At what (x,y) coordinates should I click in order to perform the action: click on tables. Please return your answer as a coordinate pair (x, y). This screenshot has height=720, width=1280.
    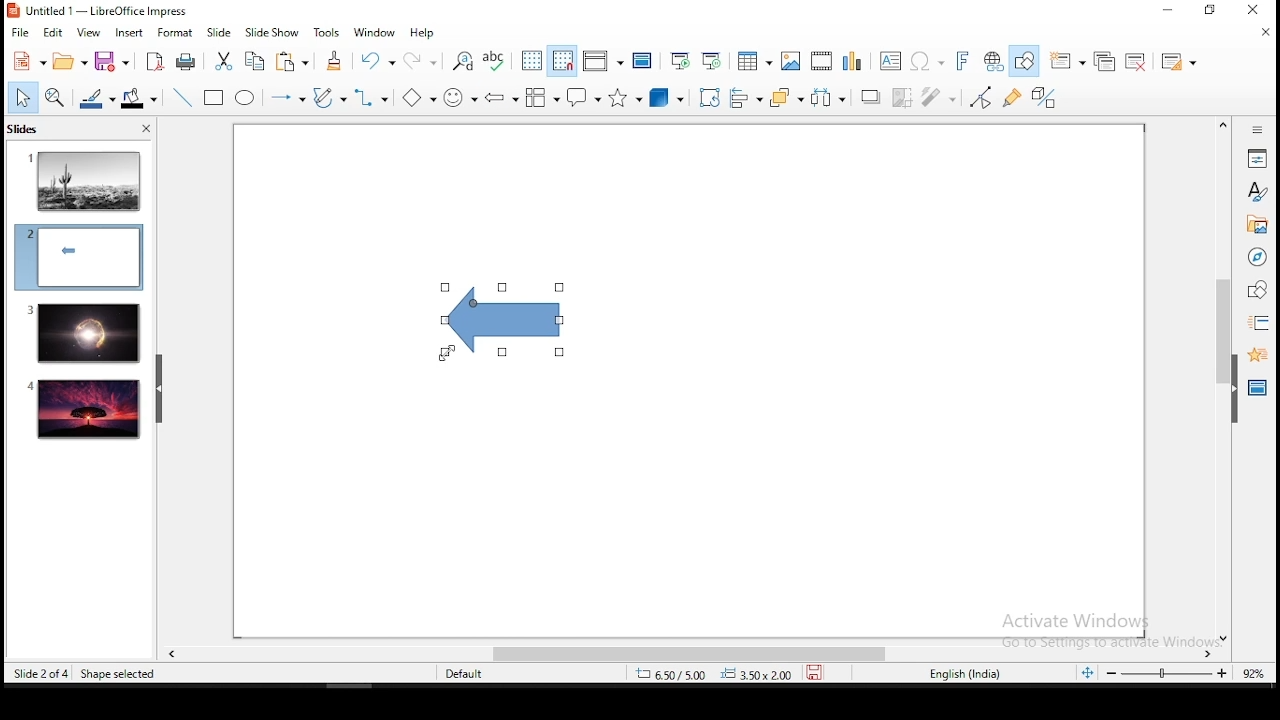
    Looking at the image, I should click on (752, 60).